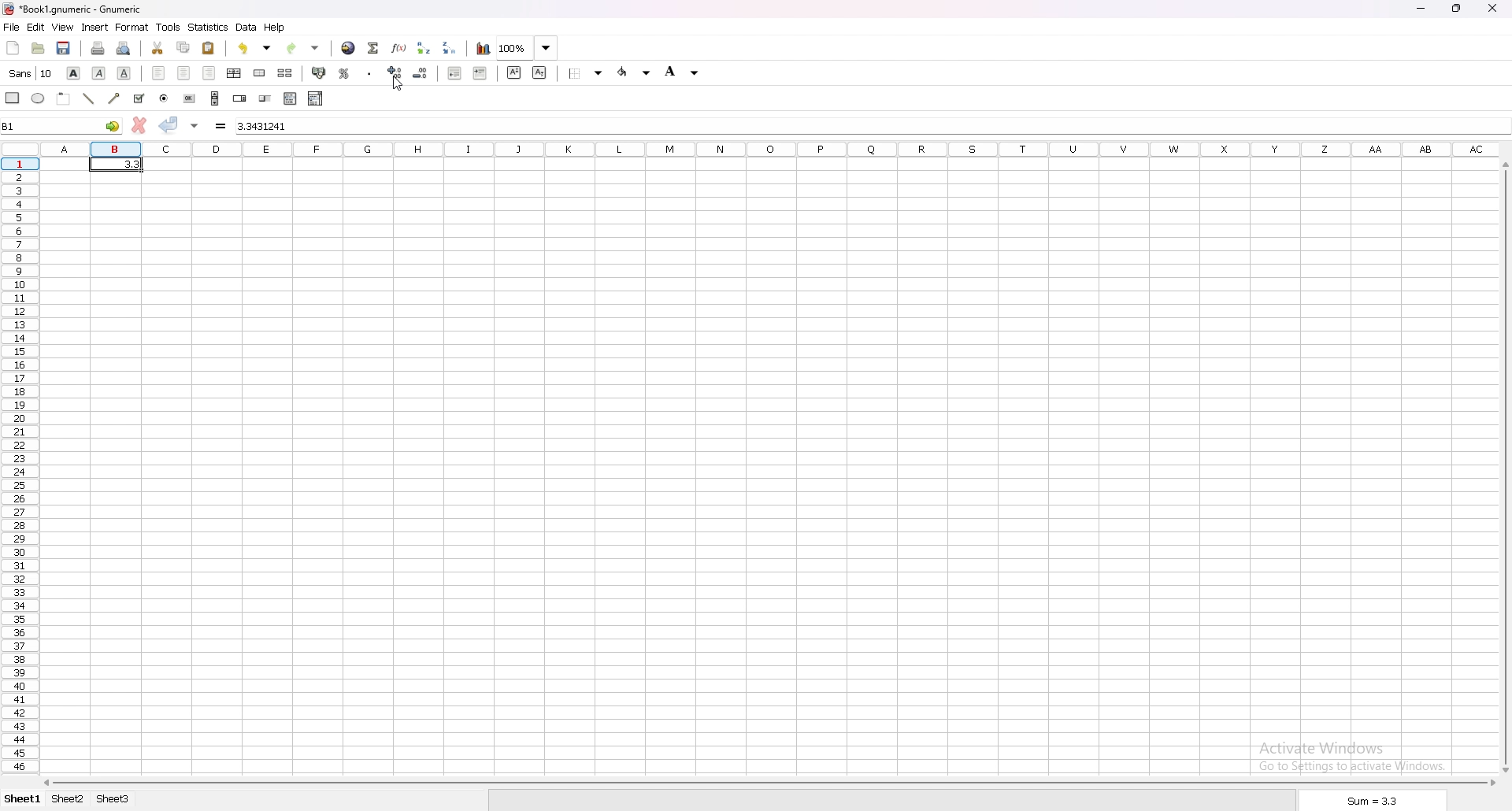  I want to click on minimize, so click(1421, 8).